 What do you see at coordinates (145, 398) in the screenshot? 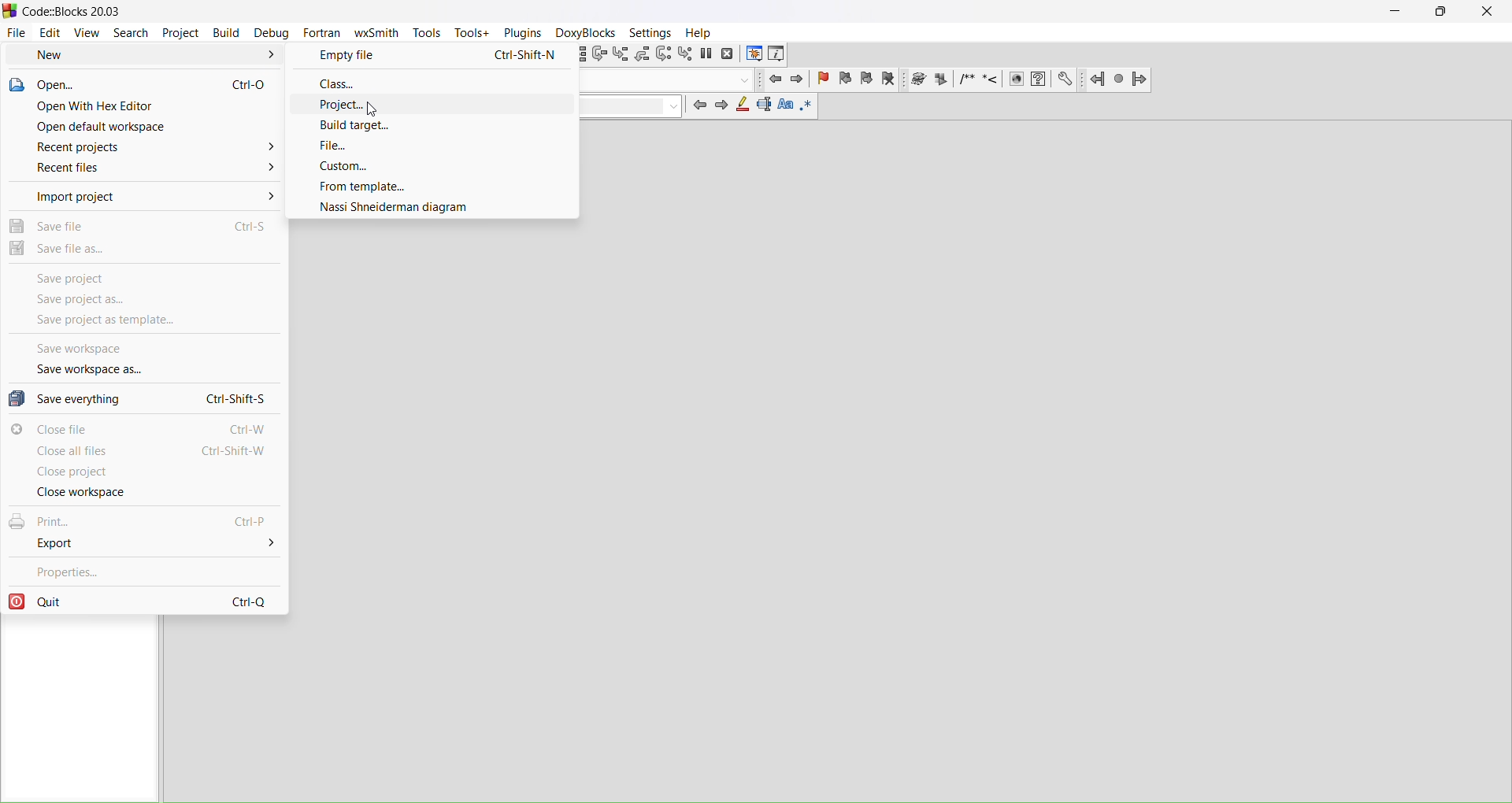
I see `save everything` at bounding box center [145, 398].